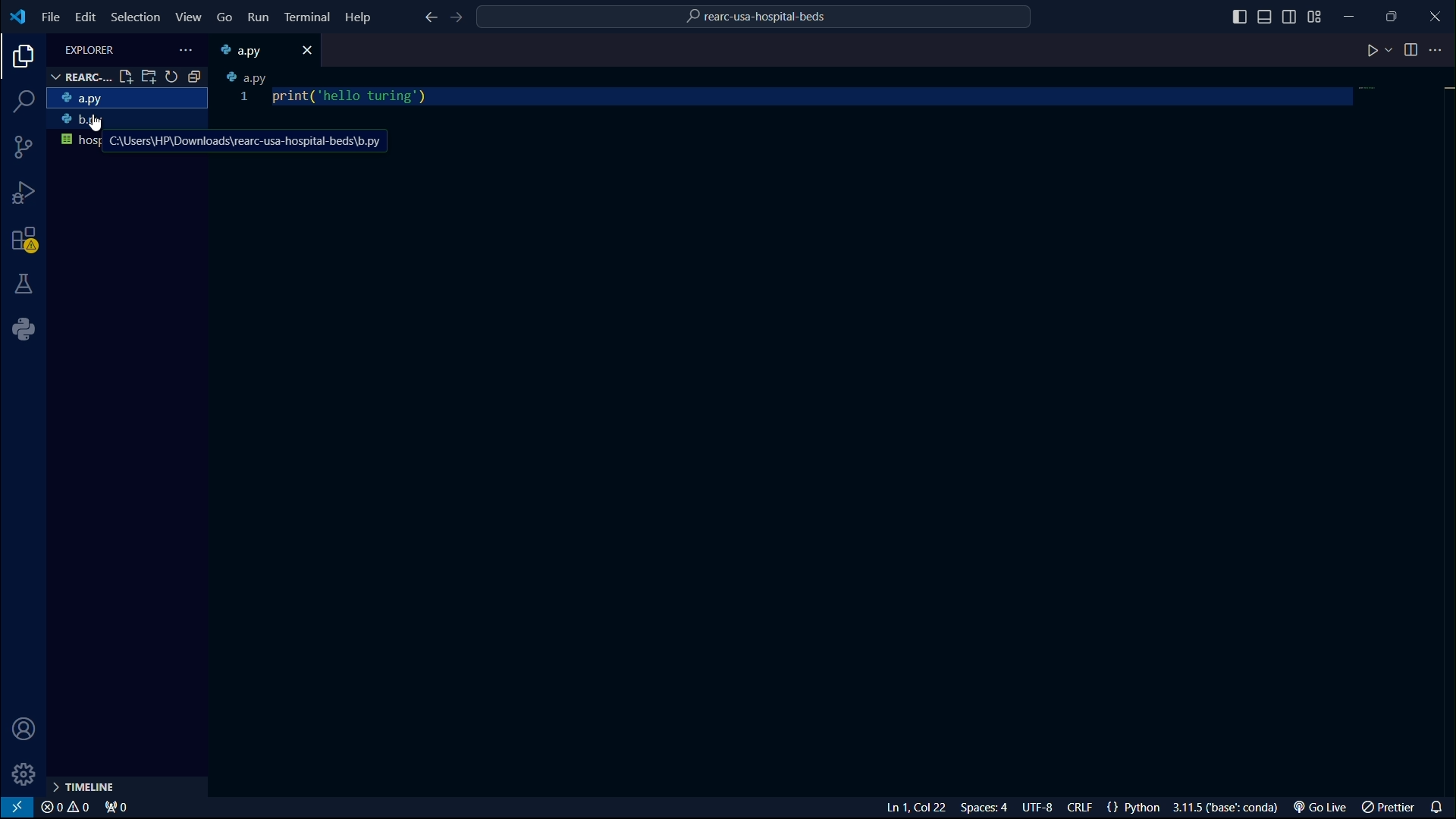 Image resolution: width=1456 pixels, height=819 pixels. Describe the element at coordinates (149, 77) in the screenshot. I see `open folder` at that location.